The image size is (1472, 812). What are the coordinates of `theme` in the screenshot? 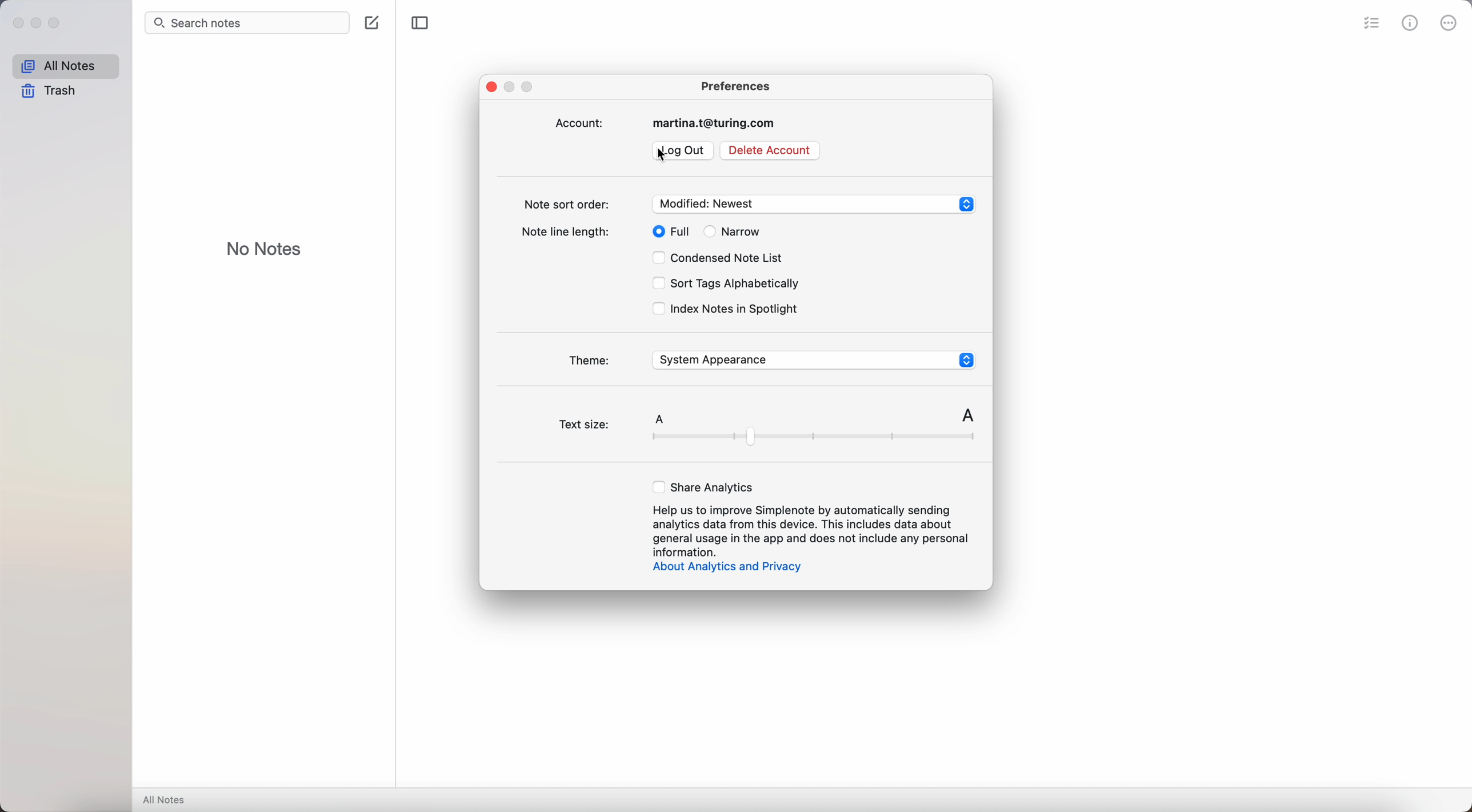 It's located at (587, 362).